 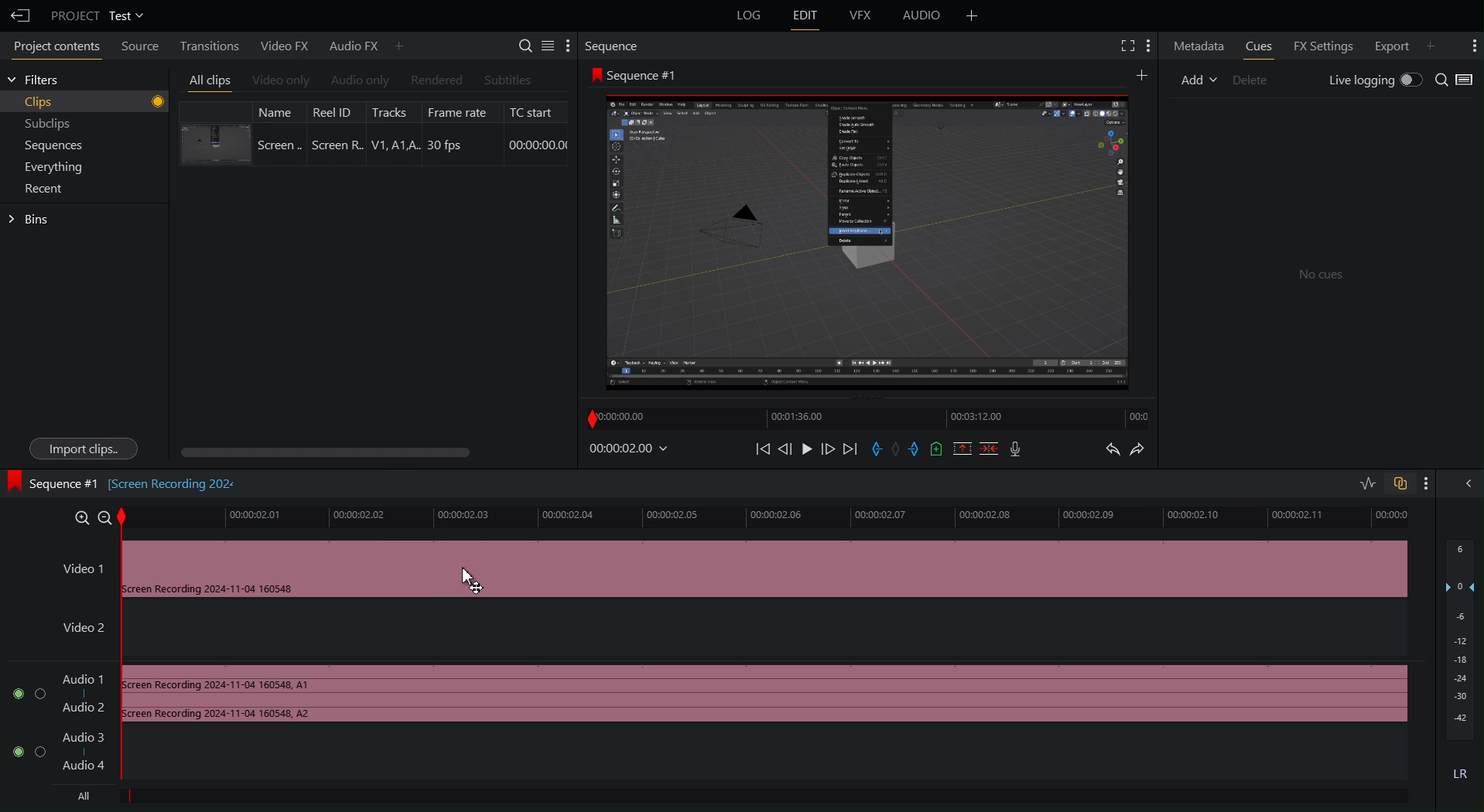 I want to click on Project Test, so click(x=97, y=15).